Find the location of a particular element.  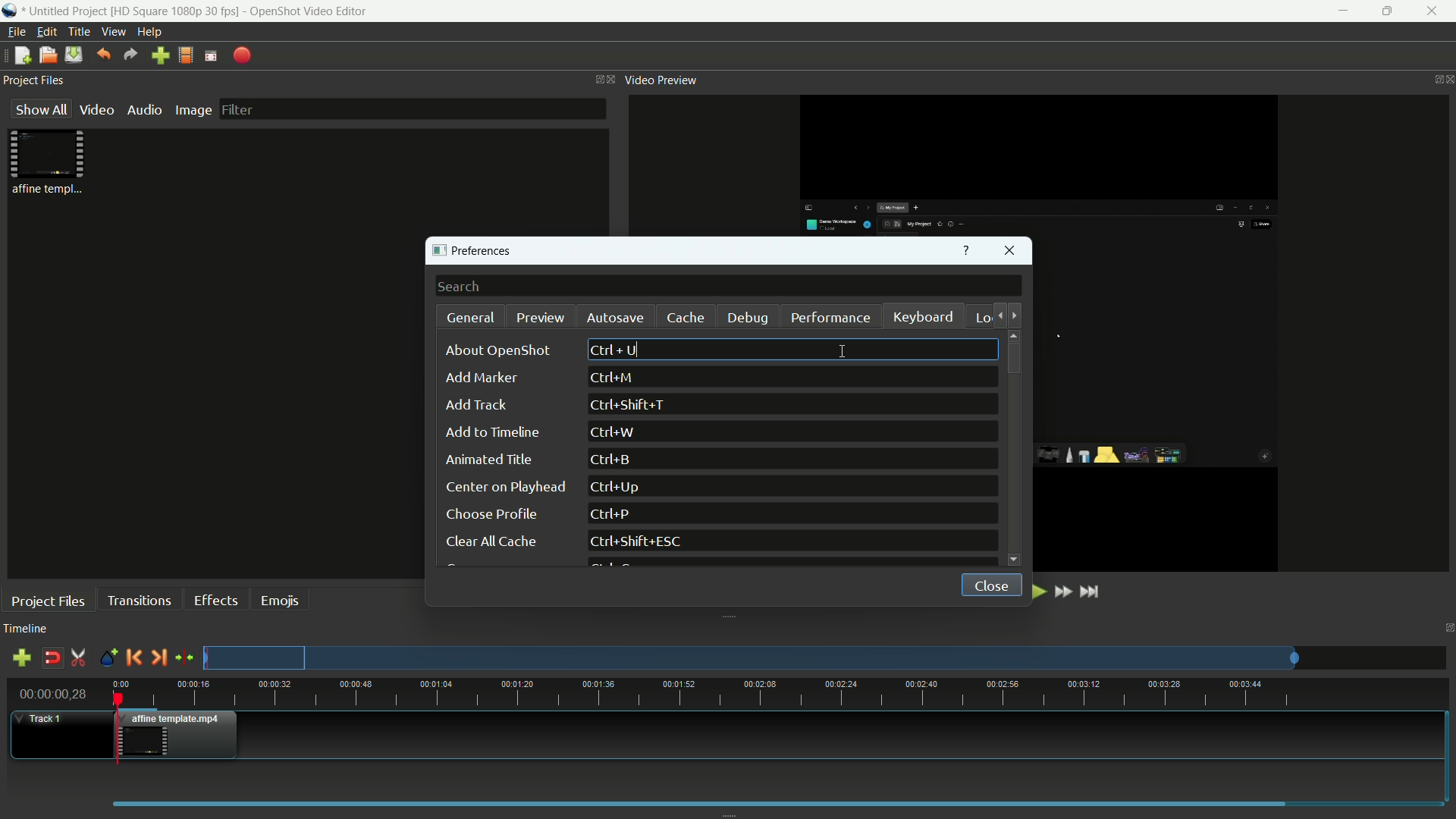

keyboard shortcut is located at coordinates (639, 542).